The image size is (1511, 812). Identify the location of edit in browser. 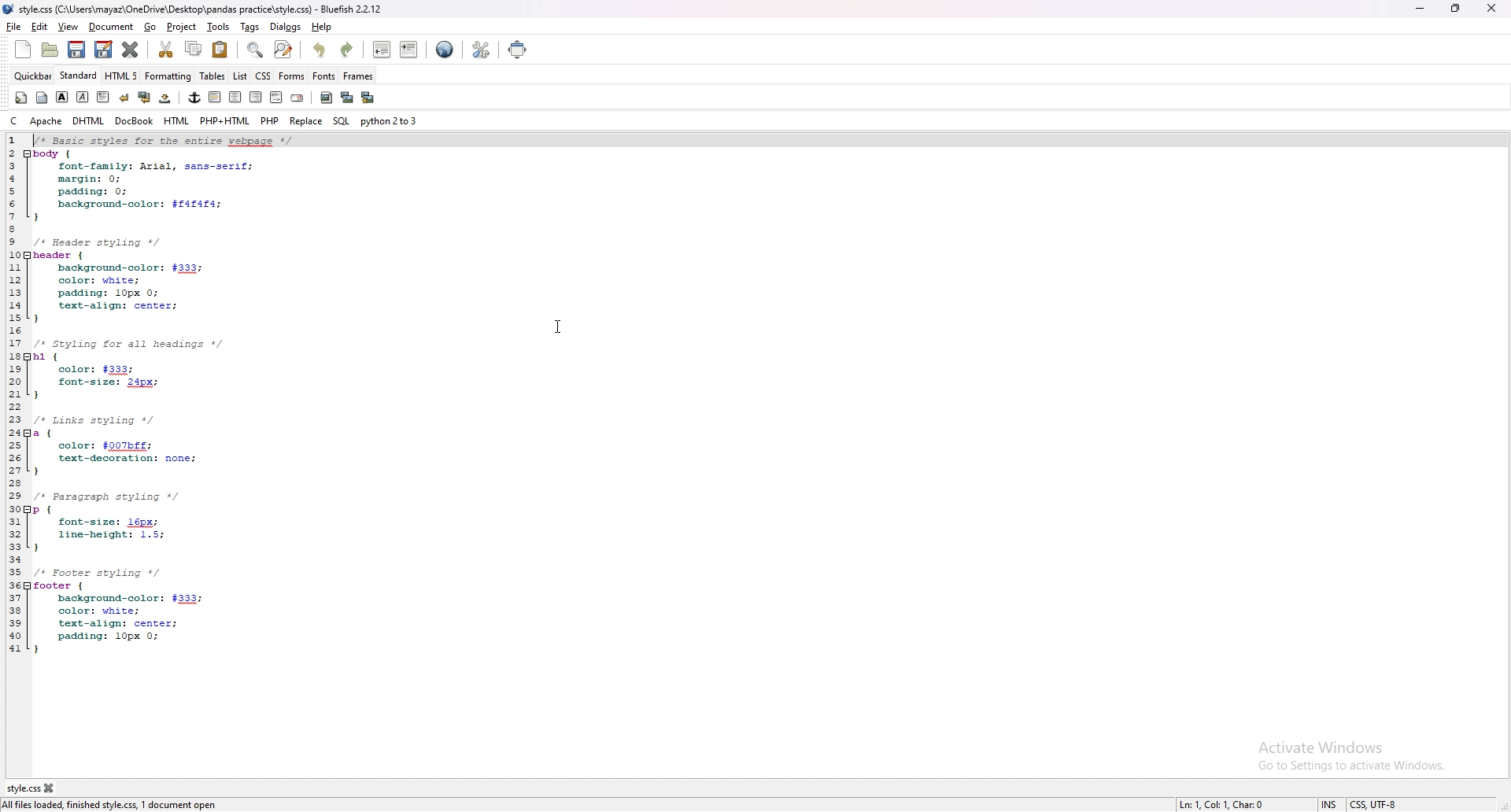
(445, 50).